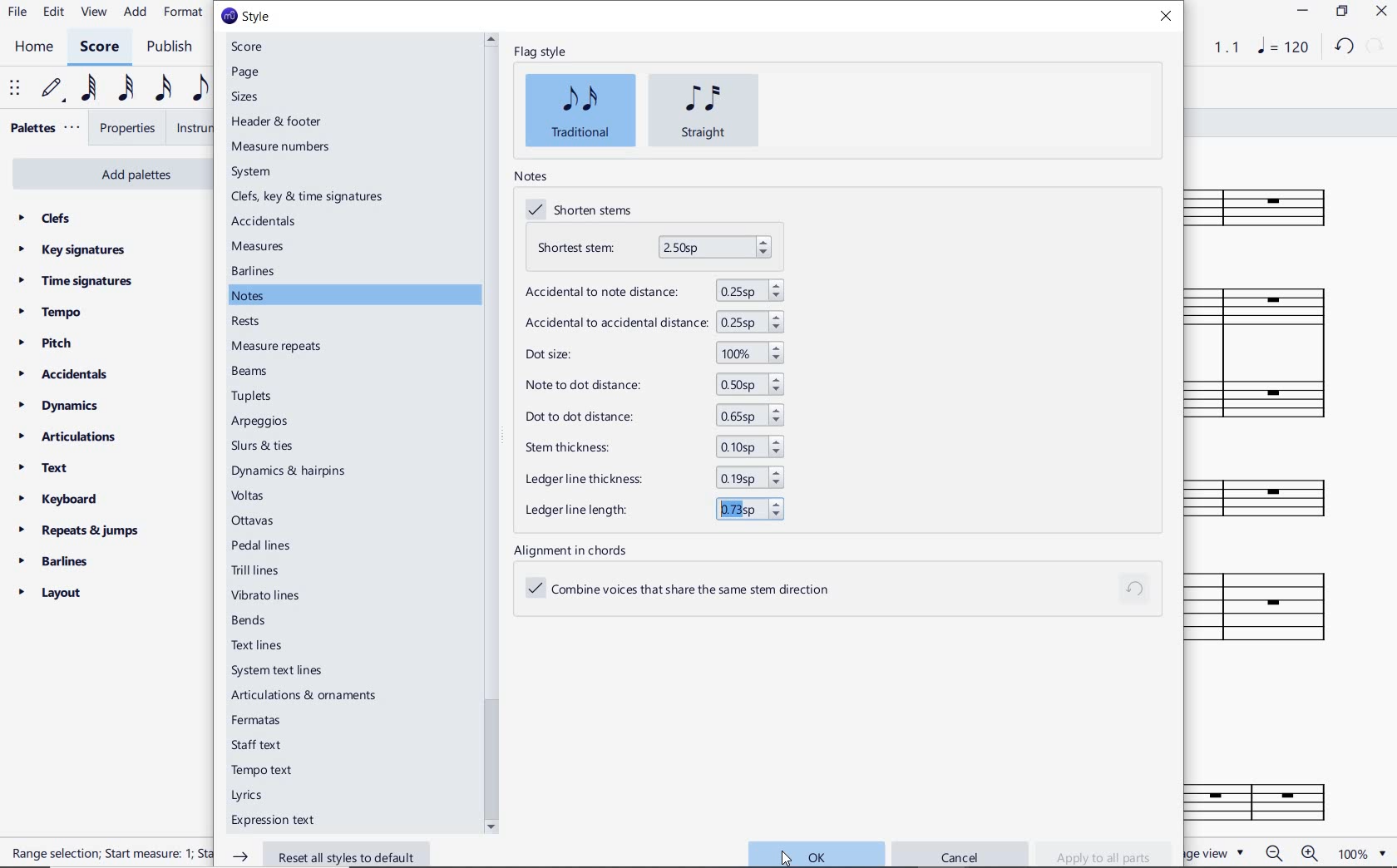 This screenshot has height=868, width=1397. Describe the element at coordinates (1103, 853) in the screenshot. I see `apply to all parts` at that location.